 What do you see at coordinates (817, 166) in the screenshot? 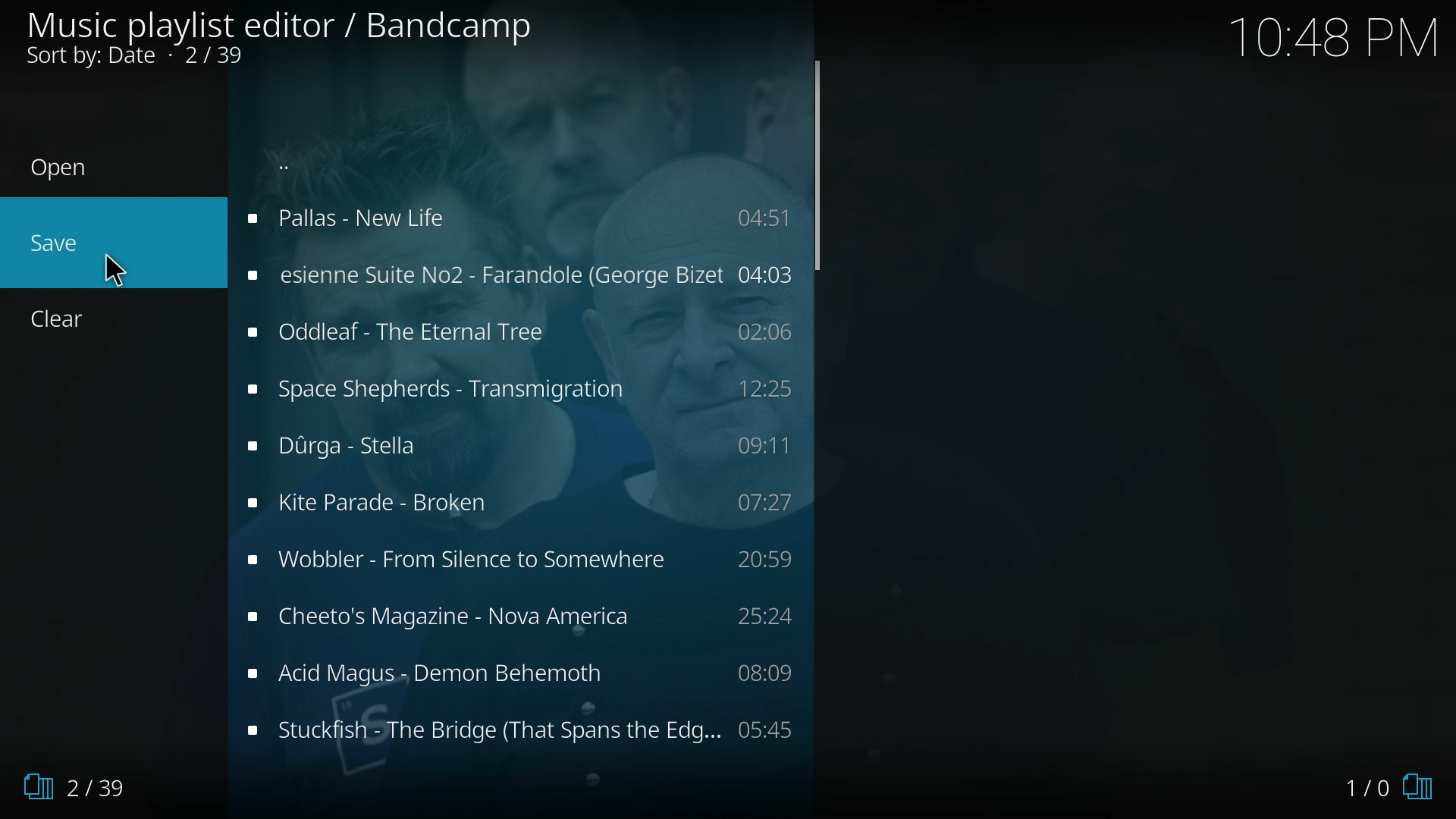
I see `scroll bar` at bounding box center [817, 166].